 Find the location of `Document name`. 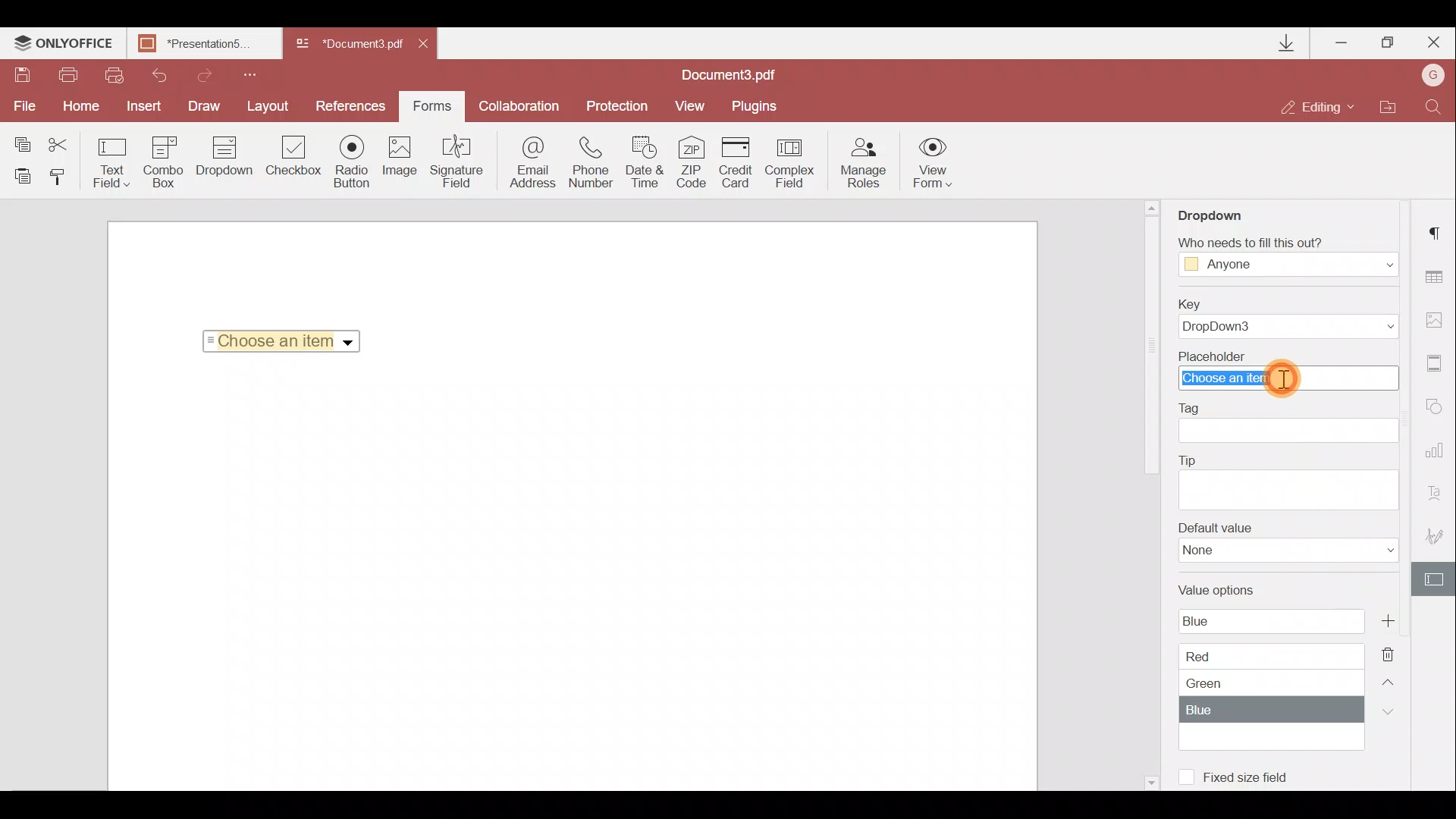

Document name is located at coordinates (347, 45).